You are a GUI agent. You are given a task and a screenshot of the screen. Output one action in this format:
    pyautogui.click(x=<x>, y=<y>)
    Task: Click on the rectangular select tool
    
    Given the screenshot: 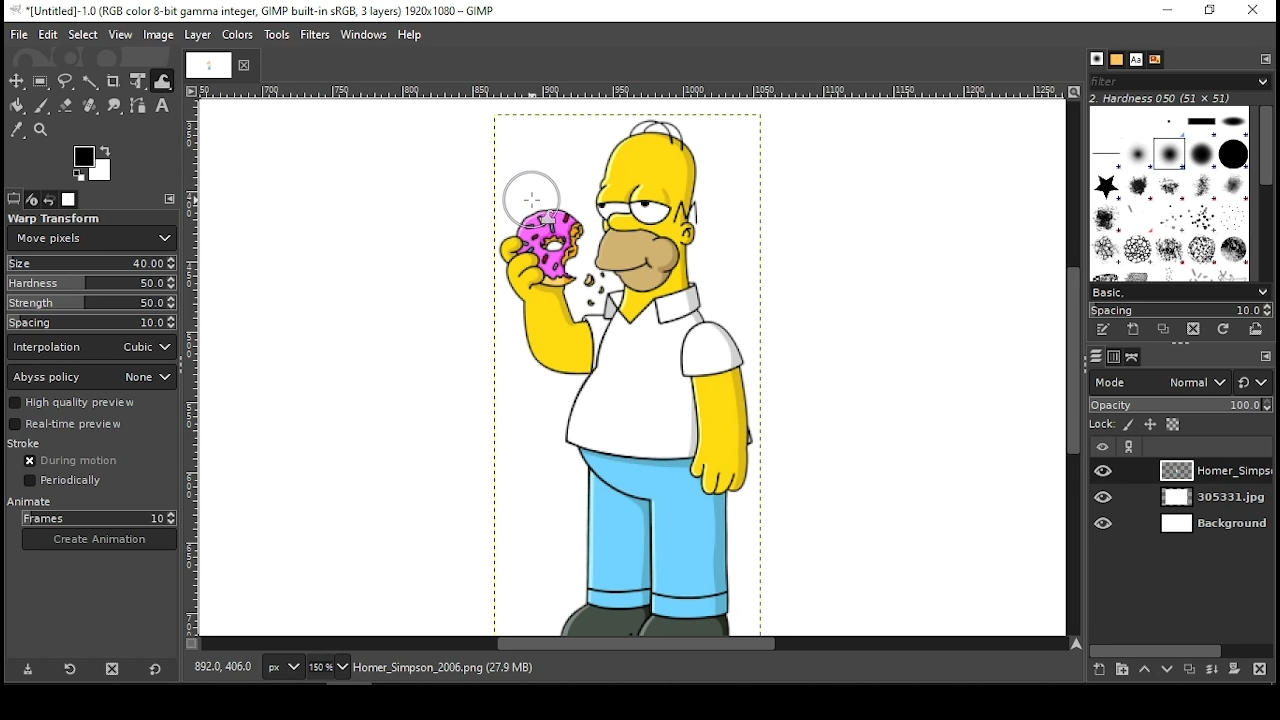 What is the action you would take?
    pyautogui.click(x=43, y=80)
    